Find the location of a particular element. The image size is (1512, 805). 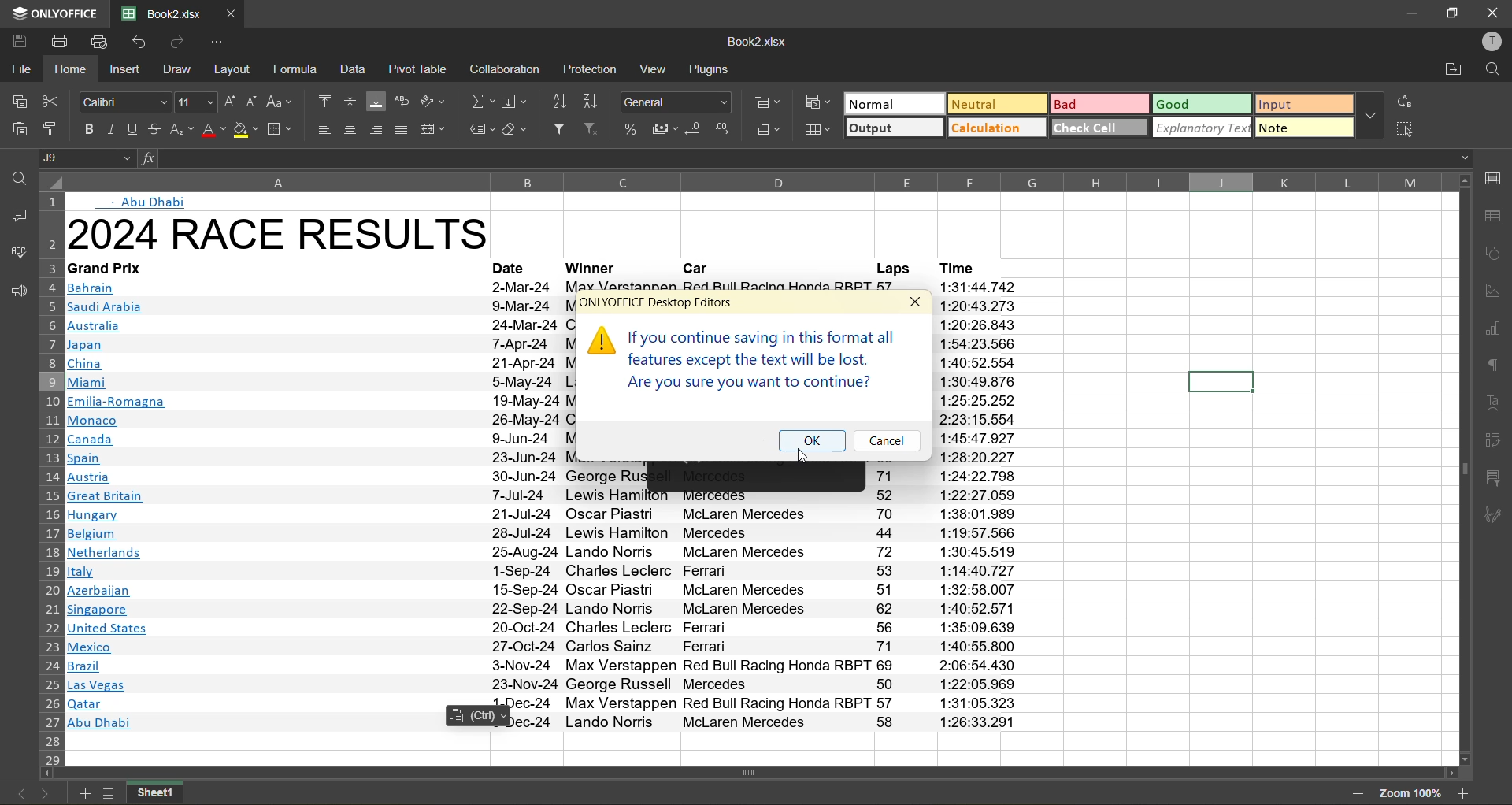

move down is located at coordinates (1466, 759).